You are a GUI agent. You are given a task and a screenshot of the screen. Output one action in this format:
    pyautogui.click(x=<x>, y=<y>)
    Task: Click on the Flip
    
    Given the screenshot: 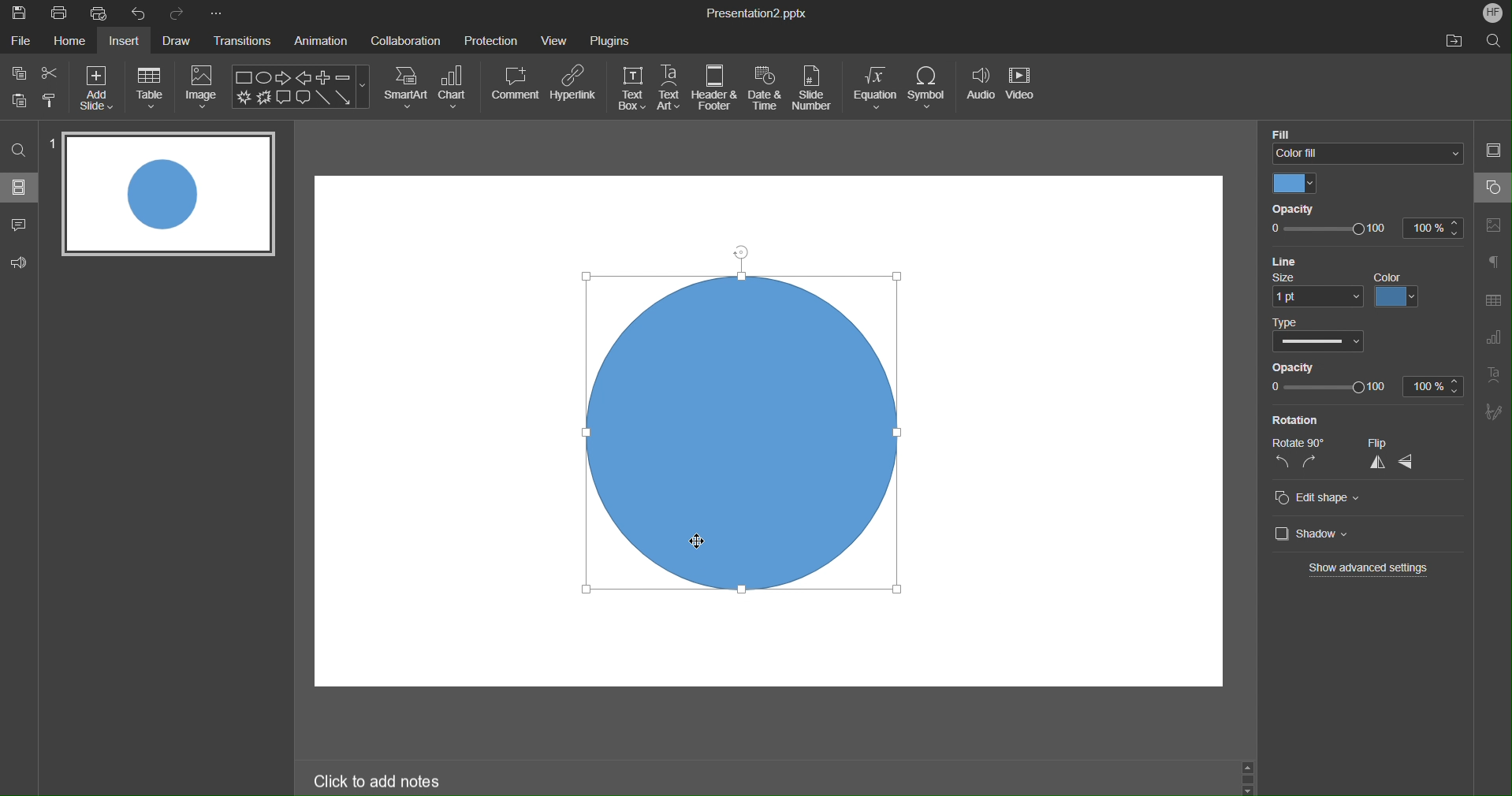 What is the action you would take?
    pyautogui.click(x=1394, y=444)
    